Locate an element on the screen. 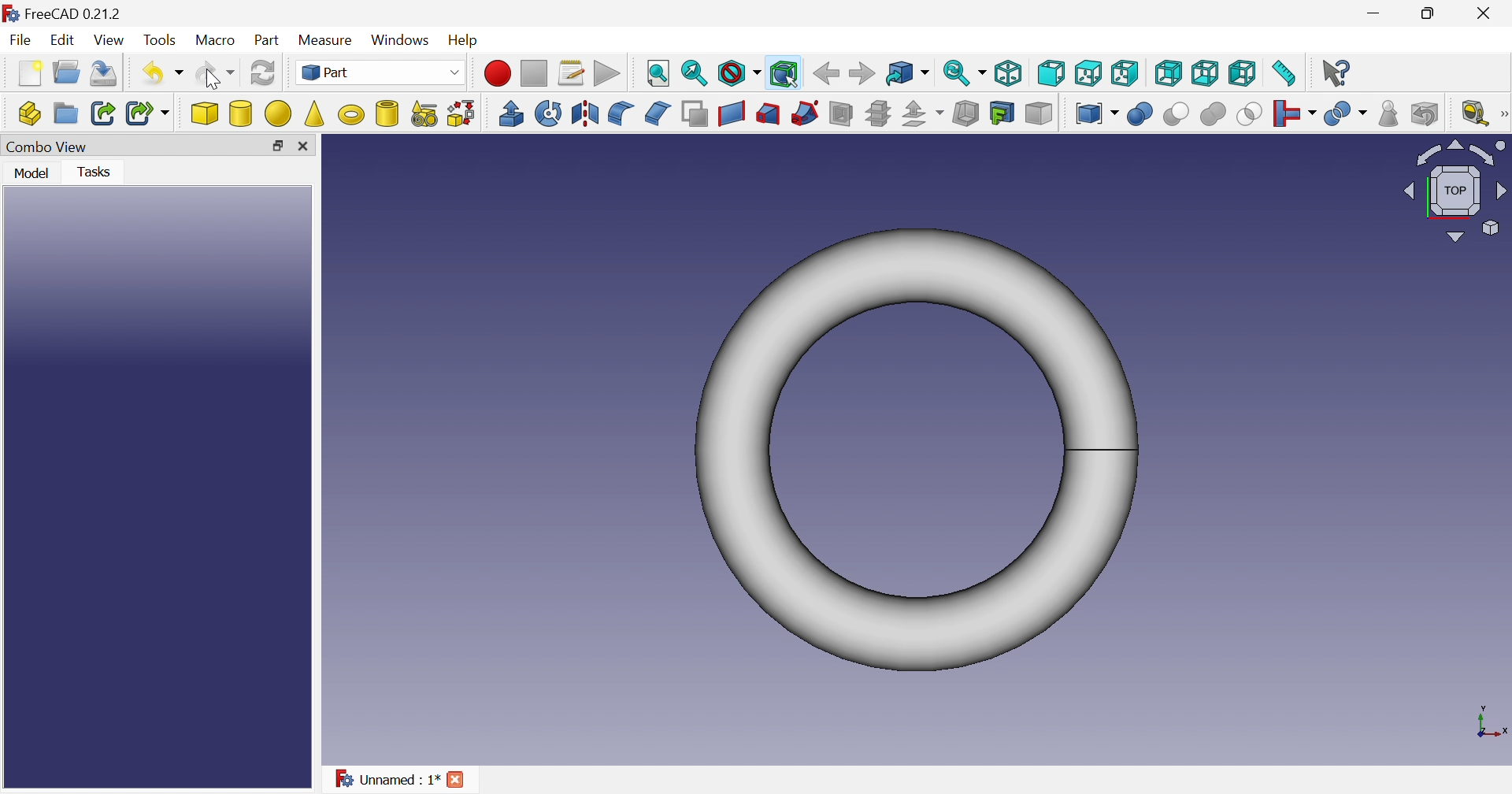  Close is located at coordinates (305, 147).